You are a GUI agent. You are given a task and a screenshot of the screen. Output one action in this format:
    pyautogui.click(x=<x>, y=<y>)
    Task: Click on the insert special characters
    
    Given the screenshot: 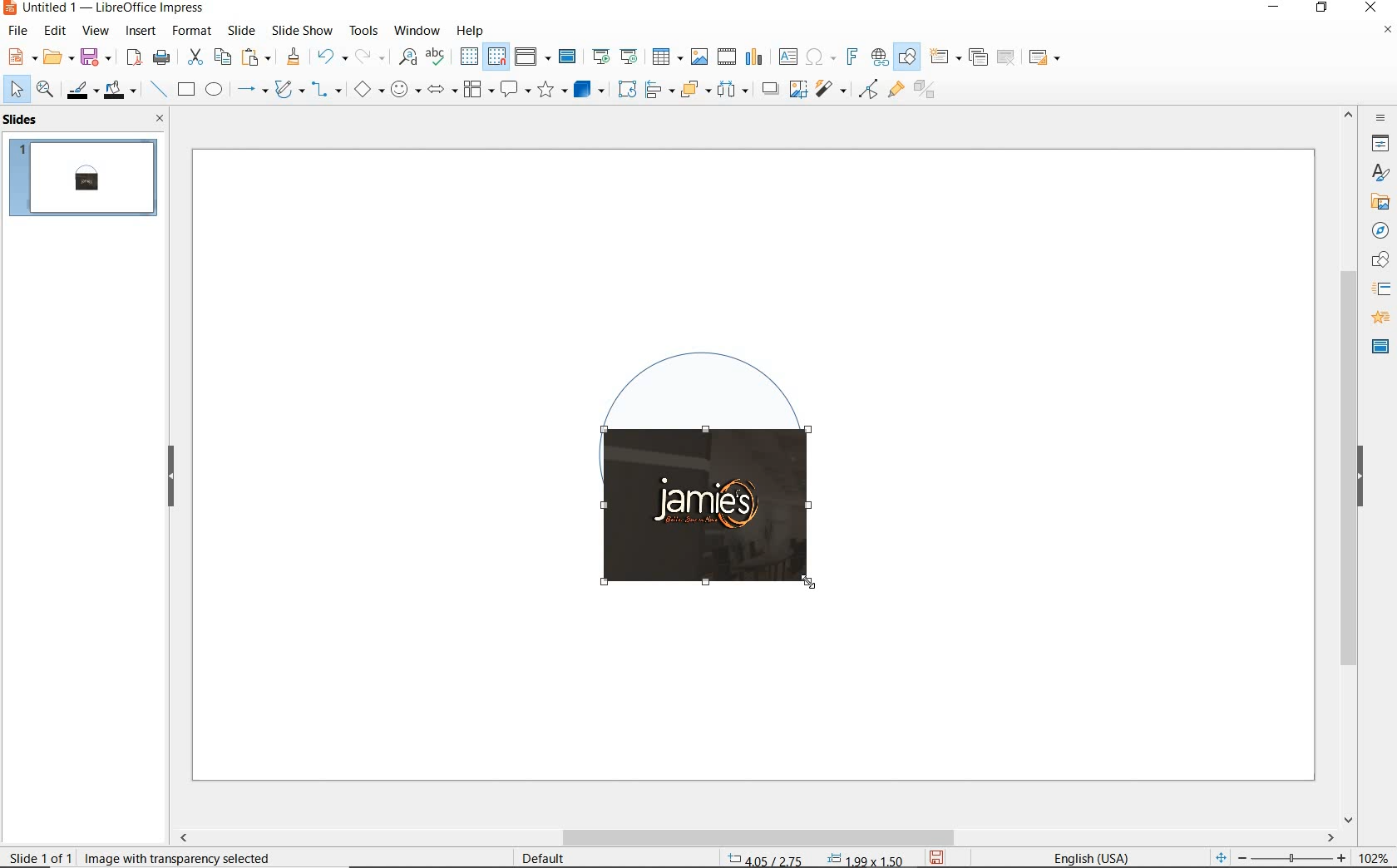 What is the action you would take?
    pyautogui.click(x=817, y=55)
    